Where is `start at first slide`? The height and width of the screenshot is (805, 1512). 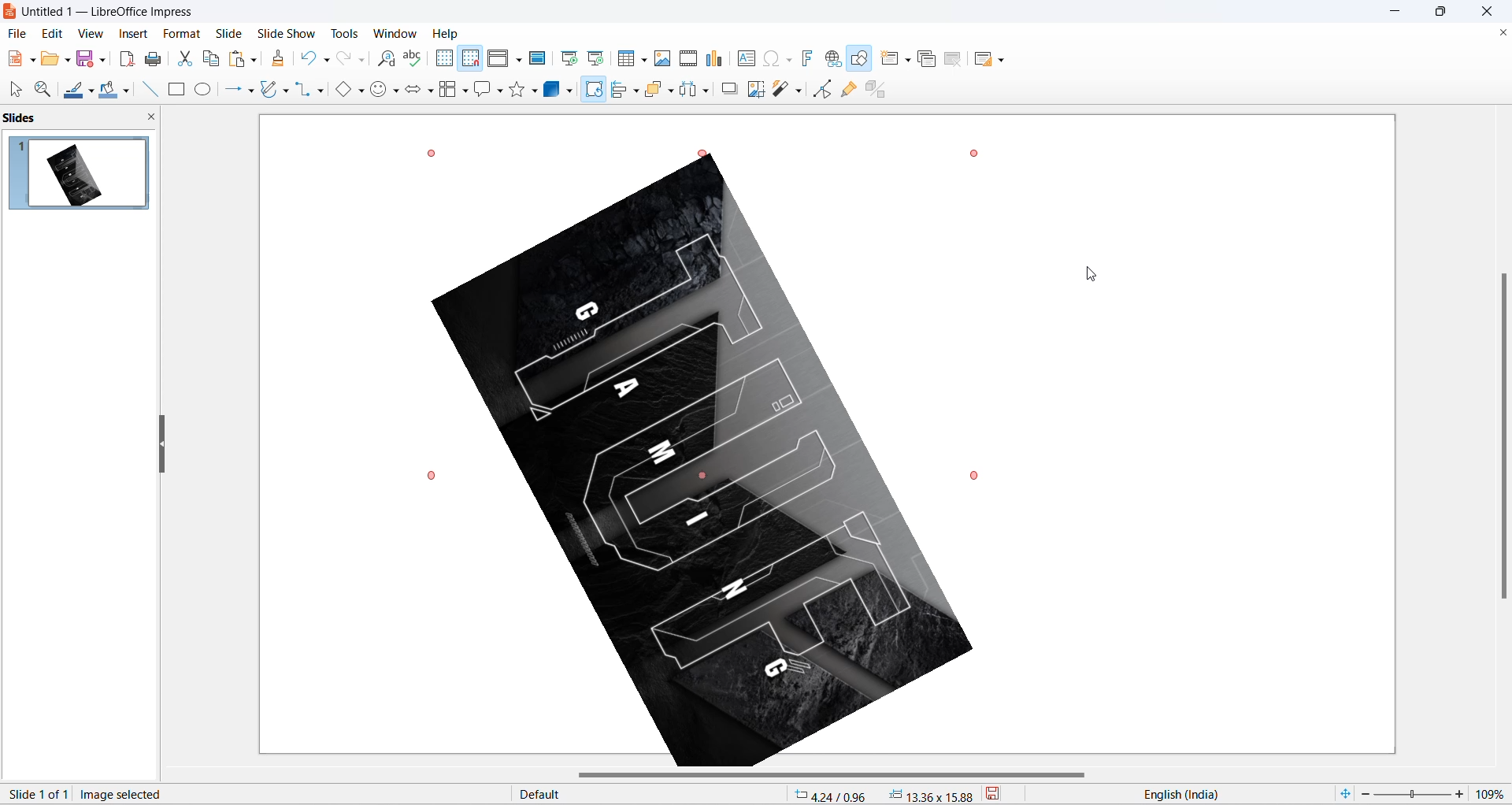 start at first slide is located at coordinates (571, 58).